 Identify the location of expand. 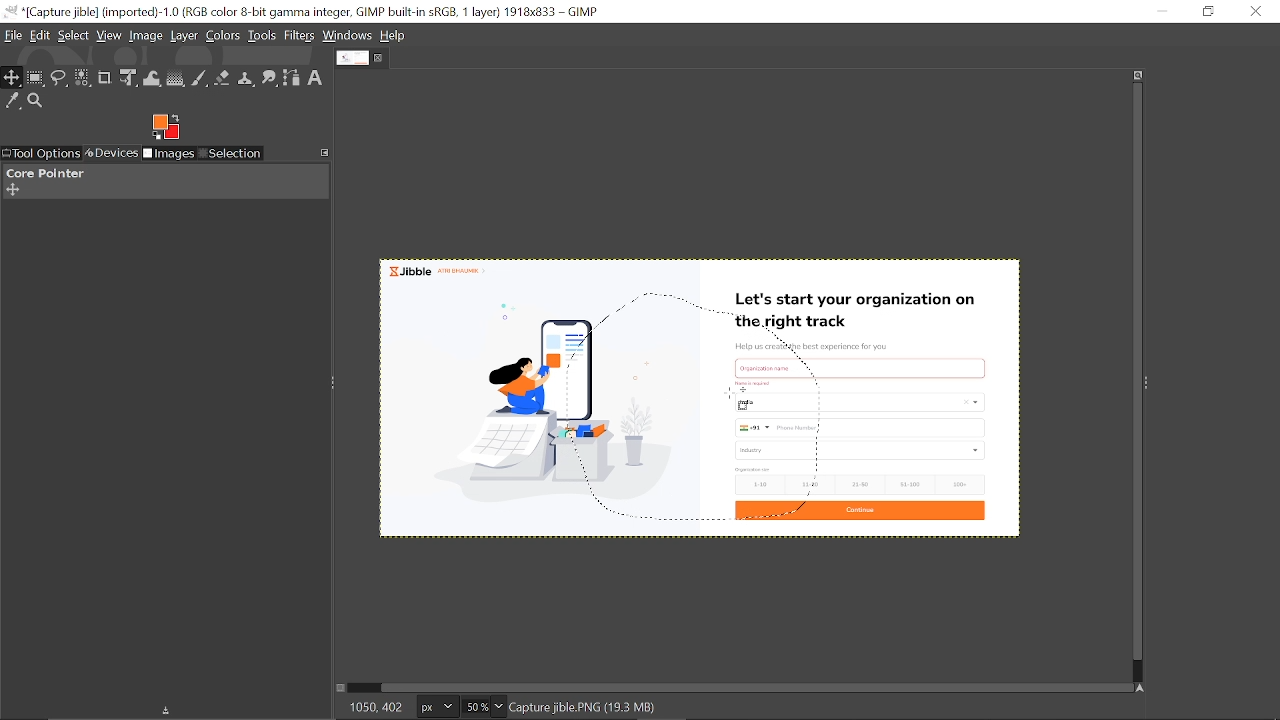
(165, 125).